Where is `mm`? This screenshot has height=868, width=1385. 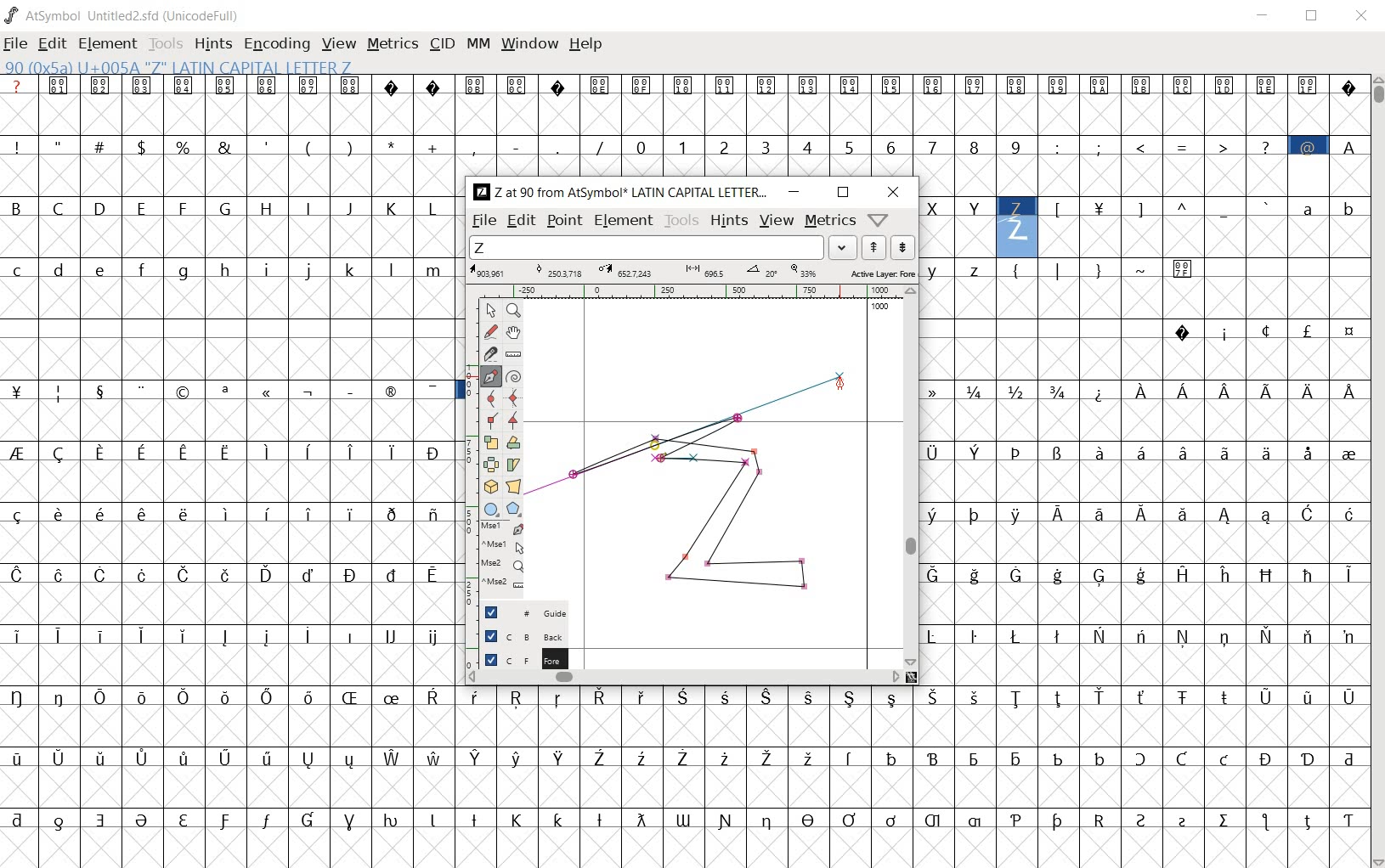 mm is located at coordinates (478, 43).